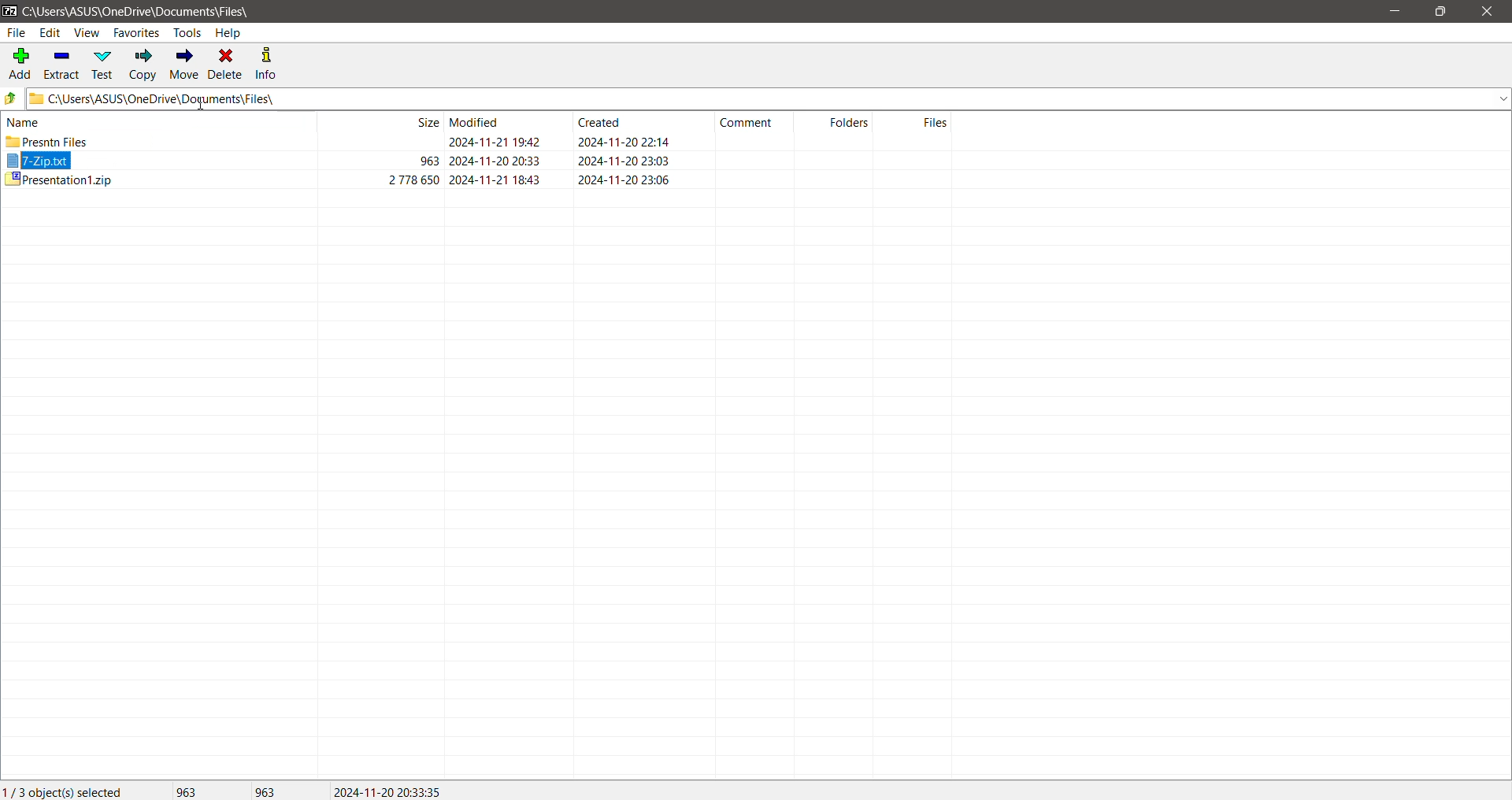  What do you see at coordinates (183, 65) in the screenshot?
I see `Move` at bounding box center [183, 65].